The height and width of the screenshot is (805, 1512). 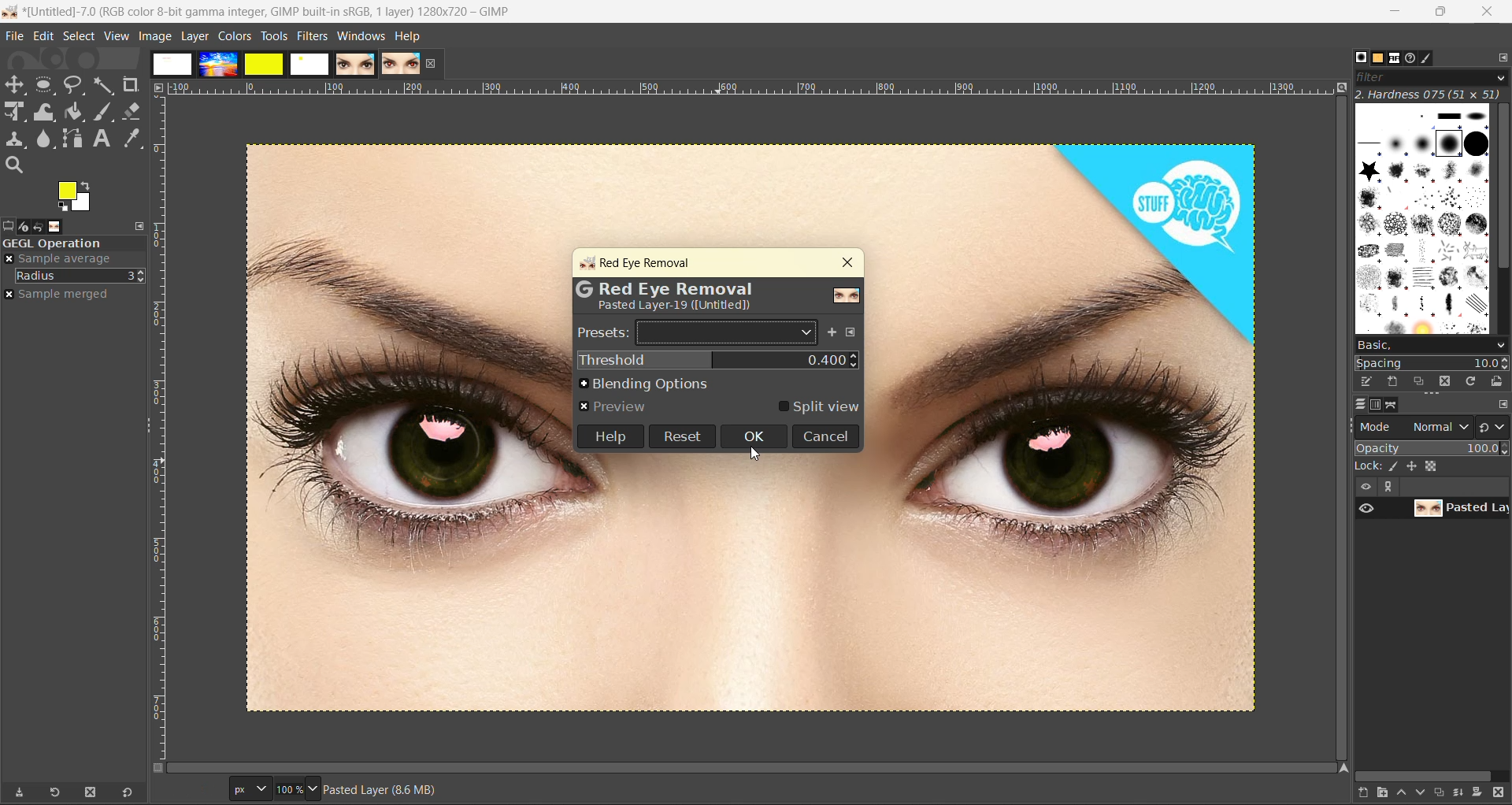 I want to click on lower this layer, so click(x=1417, y=796).